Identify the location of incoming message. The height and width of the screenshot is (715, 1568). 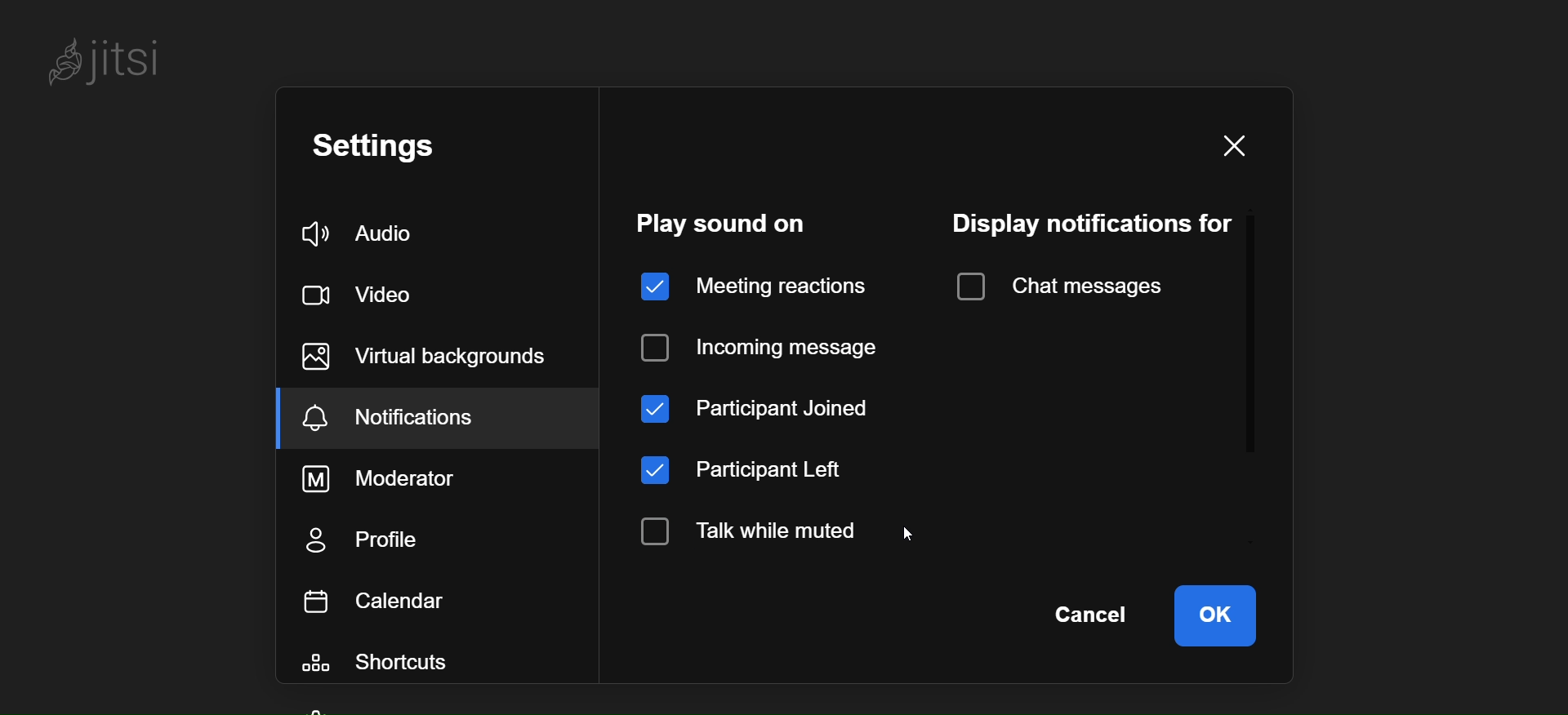
(764, 341).